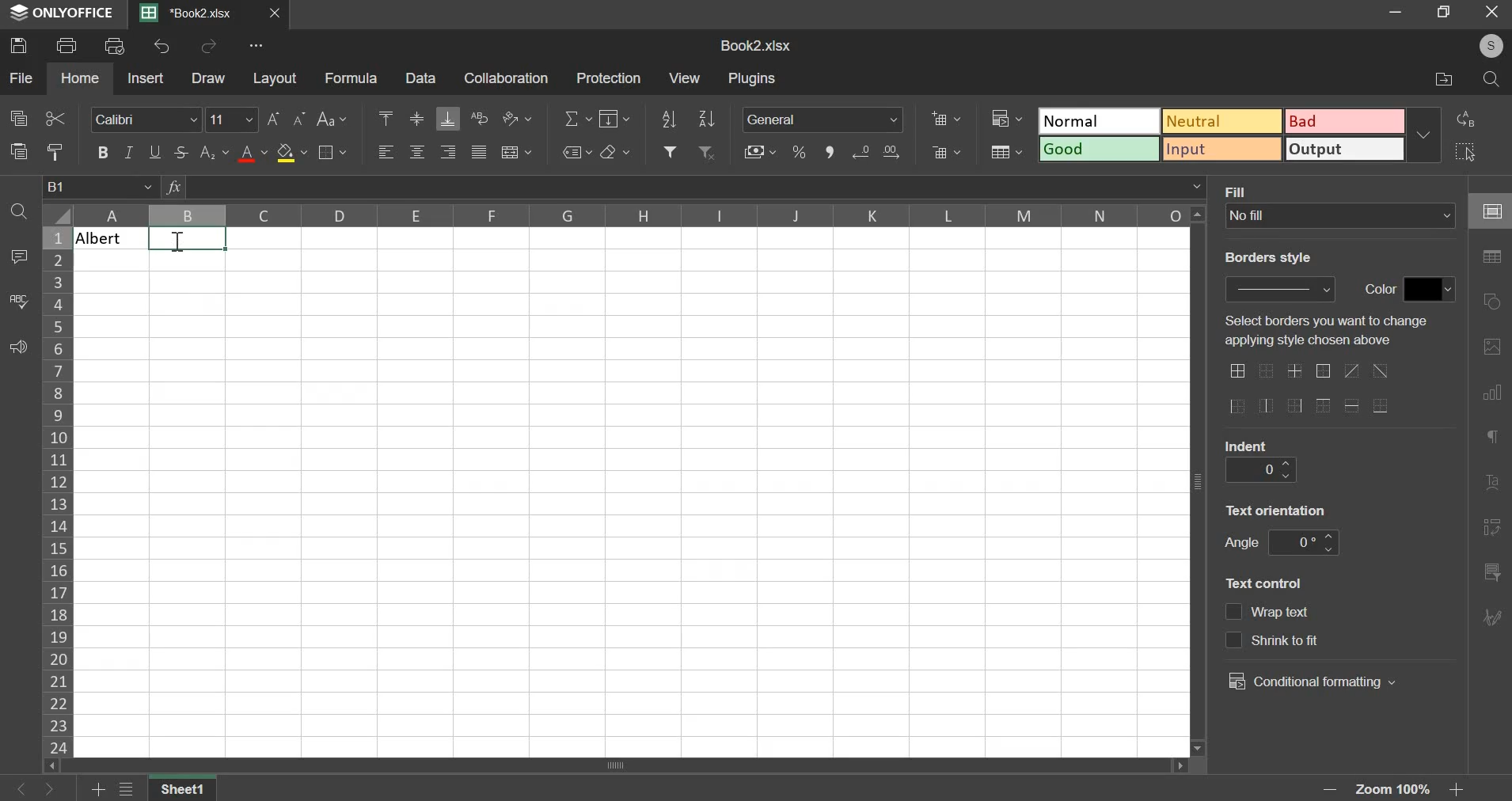 This screenshot has height=801, width=1512. Describe the element at coordinates (388, 116) in the screenshot. I see `align top` at that location.